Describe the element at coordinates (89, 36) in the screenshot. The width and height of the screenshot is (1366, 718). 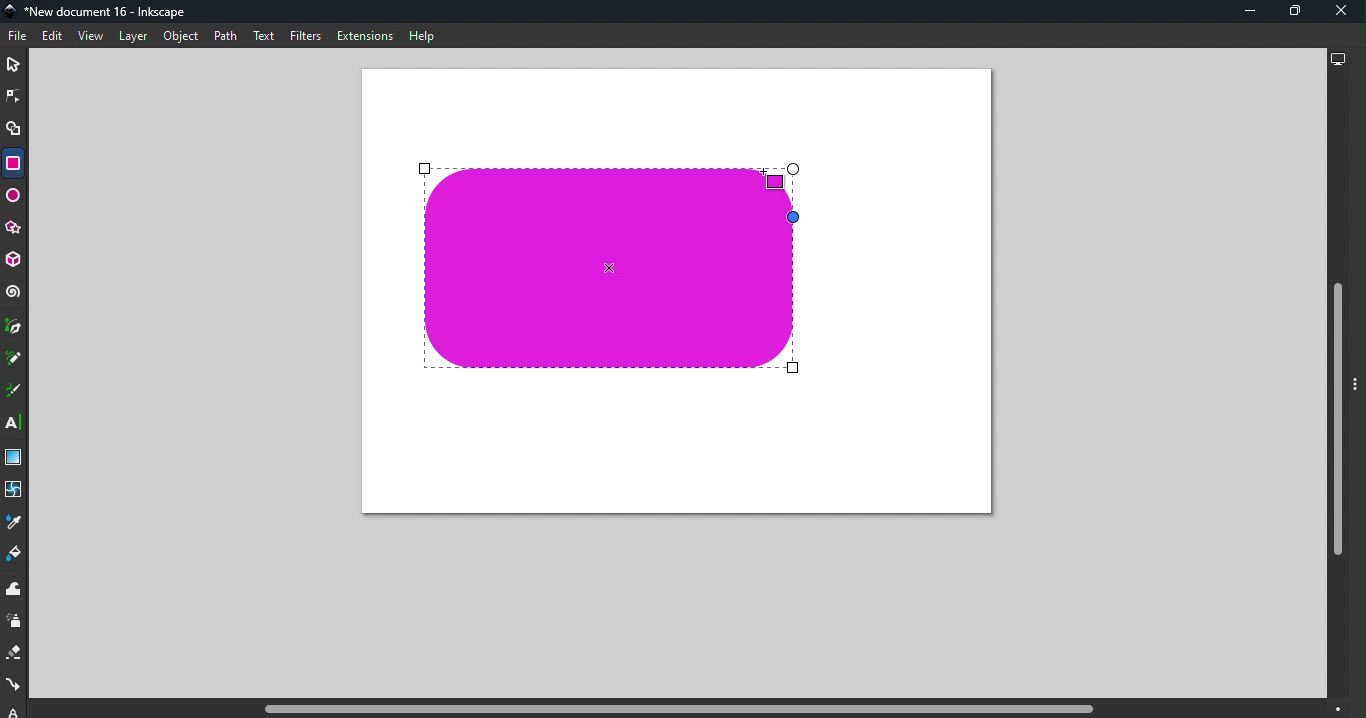
I see `View` at that location.